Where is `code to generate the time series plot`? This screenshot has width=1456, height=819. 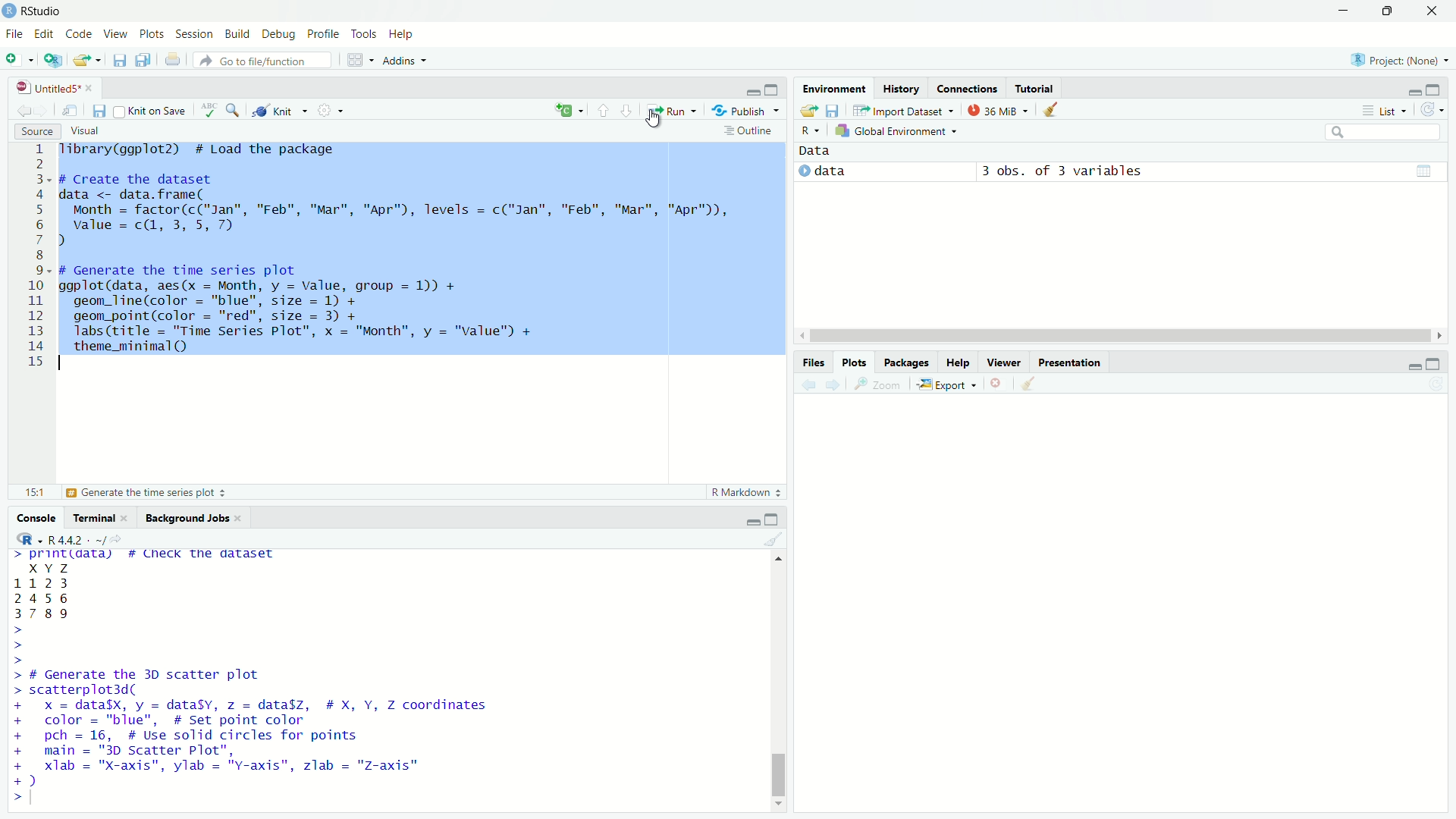
code to generate the time series plot is located at coordinates (302, 310).